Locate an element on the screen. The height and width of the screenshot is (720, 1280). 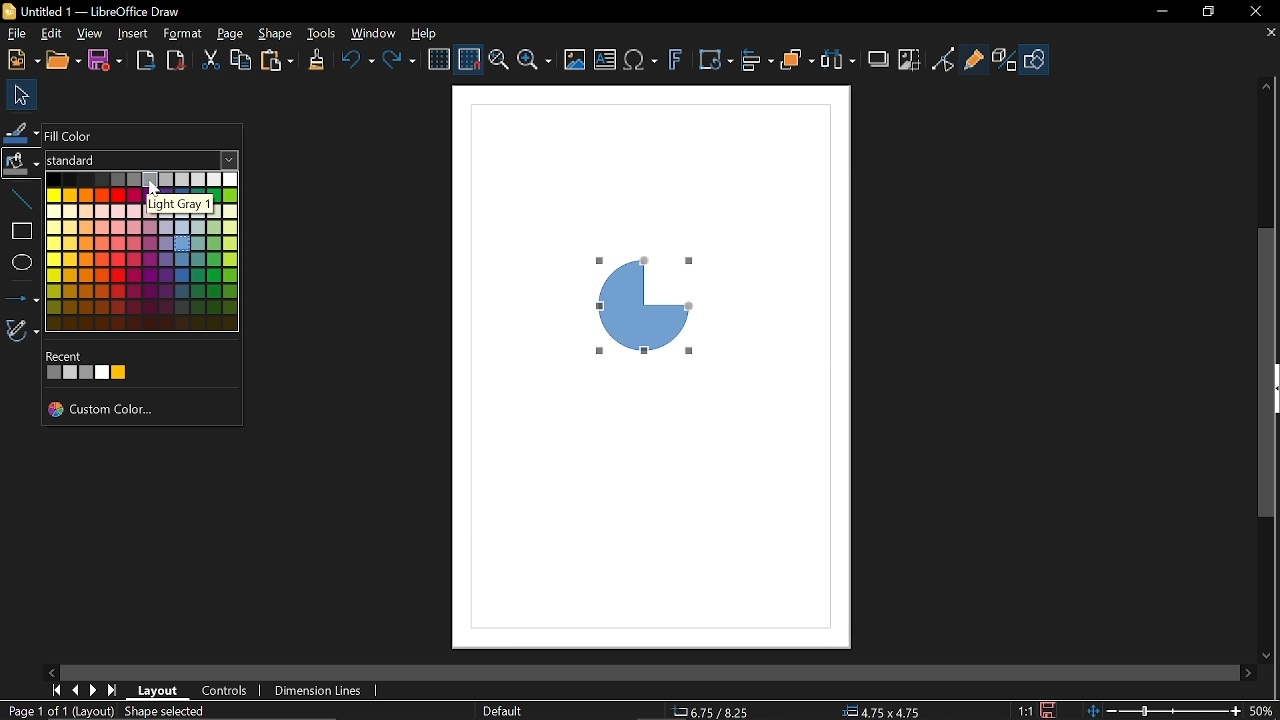
Clone tool is located at coordinates (315, 62).